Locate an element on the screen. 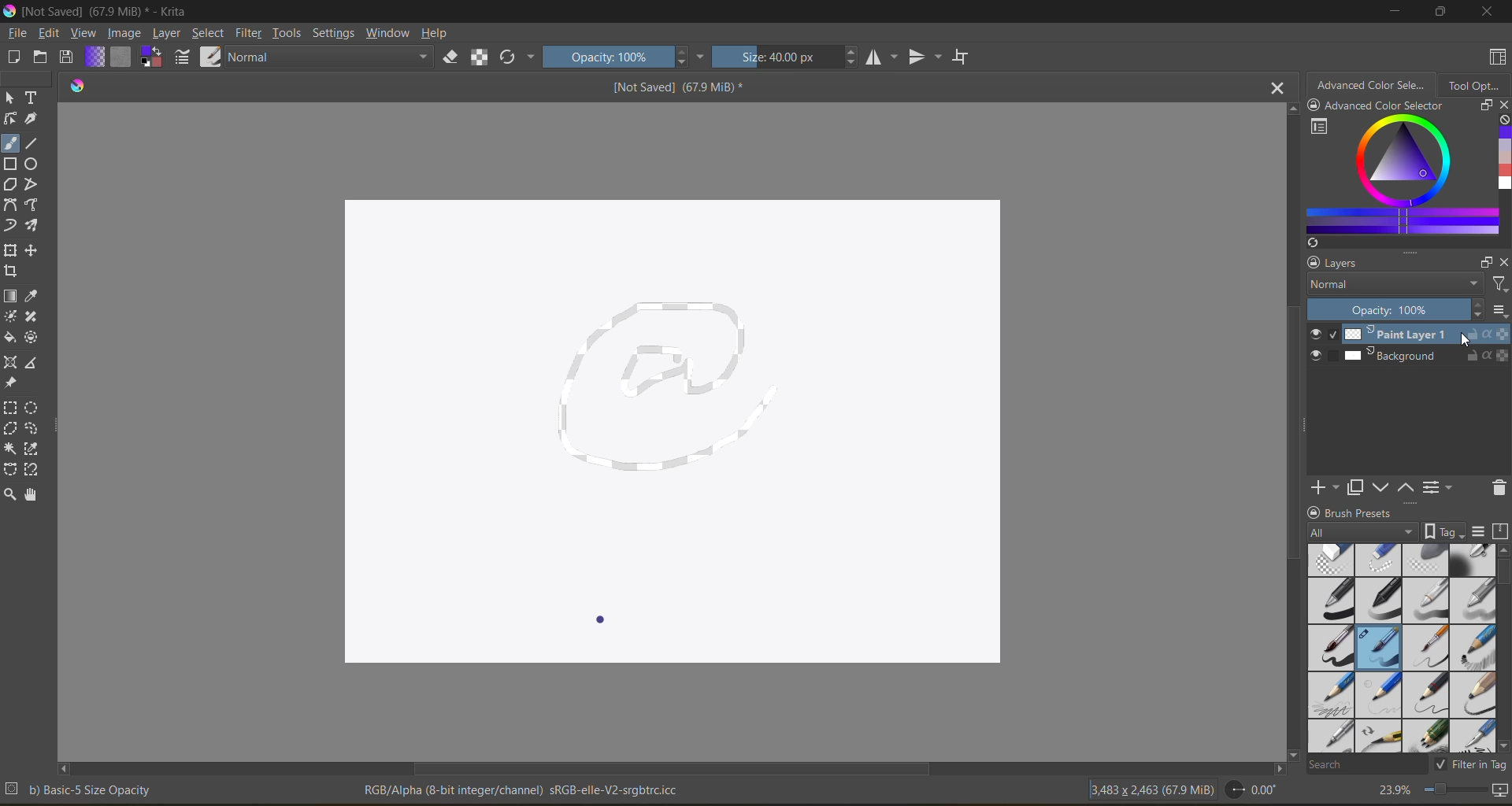 The height and width of the screenshot is (806, 1512). visible is located at coordinates (1314, 356).